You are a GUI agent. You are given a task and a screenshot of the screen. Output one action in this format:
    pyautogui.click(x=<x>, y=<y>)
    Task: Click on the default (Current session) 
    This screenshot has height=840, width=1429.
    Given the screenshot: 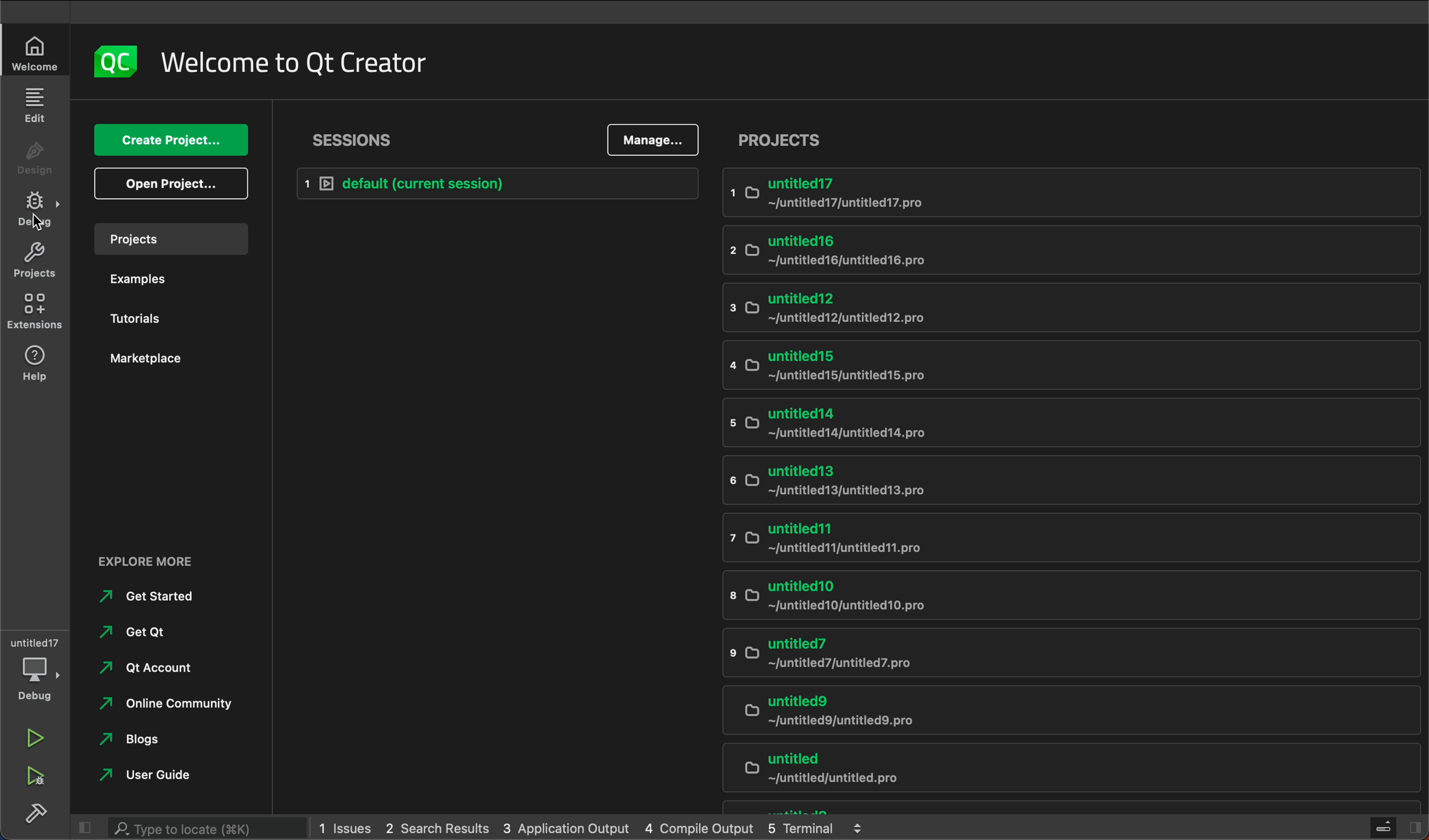 What is the action you would take?
    pyautogui.click(x=492, y=184)
    